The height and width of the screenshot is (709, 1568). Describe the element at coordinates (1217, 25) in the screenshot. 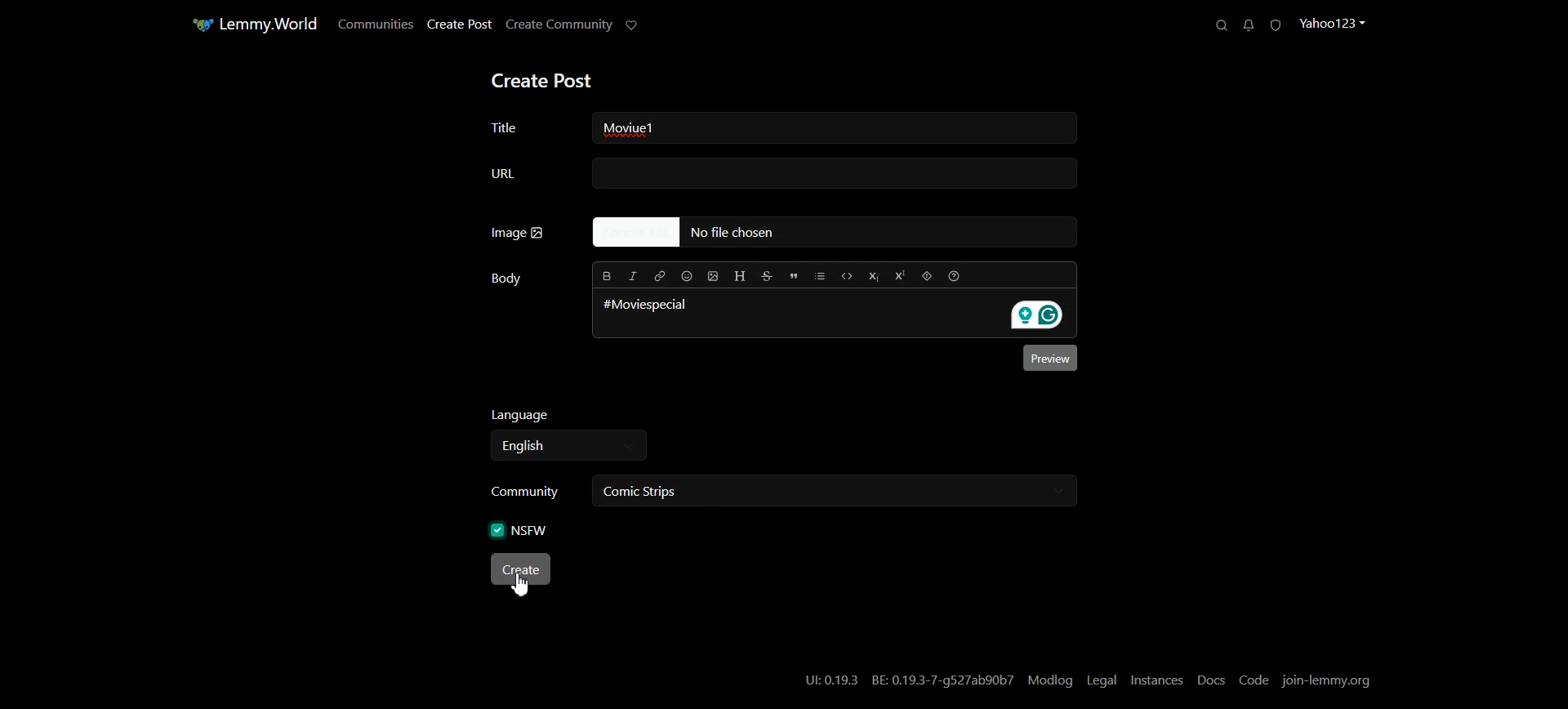

I see `Search` at that location.